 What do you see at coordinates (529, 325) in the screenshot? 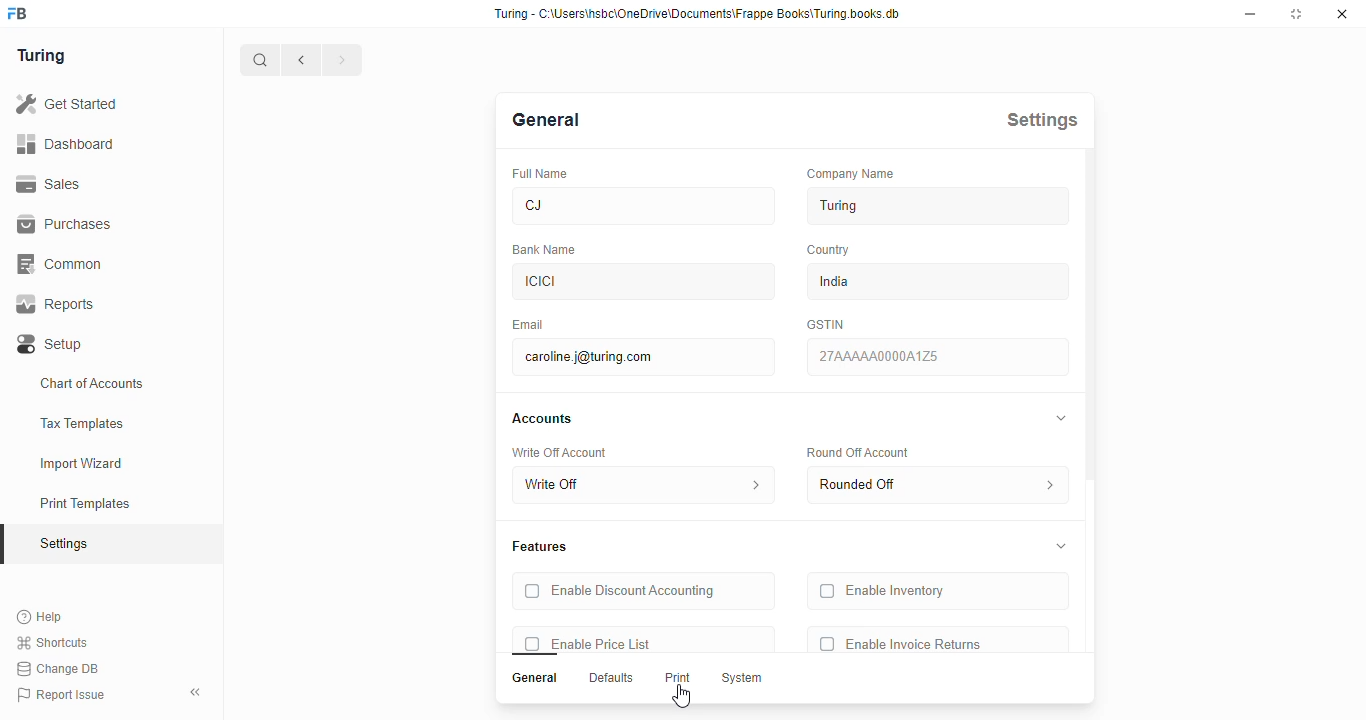
I see `Email` at bounding box center [529, 325].